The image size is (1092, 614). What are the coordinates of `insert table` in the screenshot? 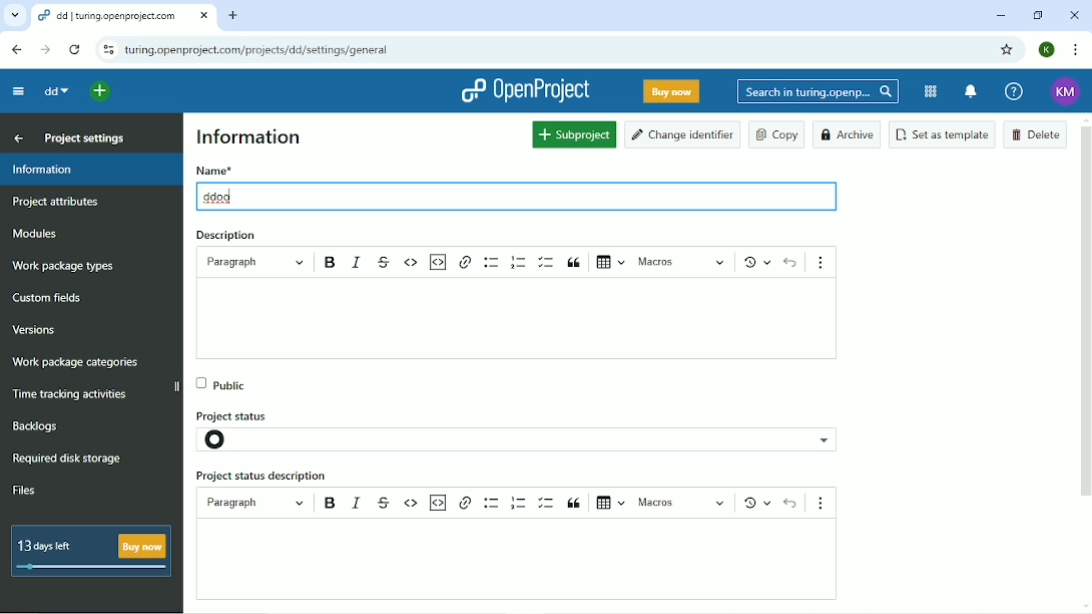 It's located at (611, 500).